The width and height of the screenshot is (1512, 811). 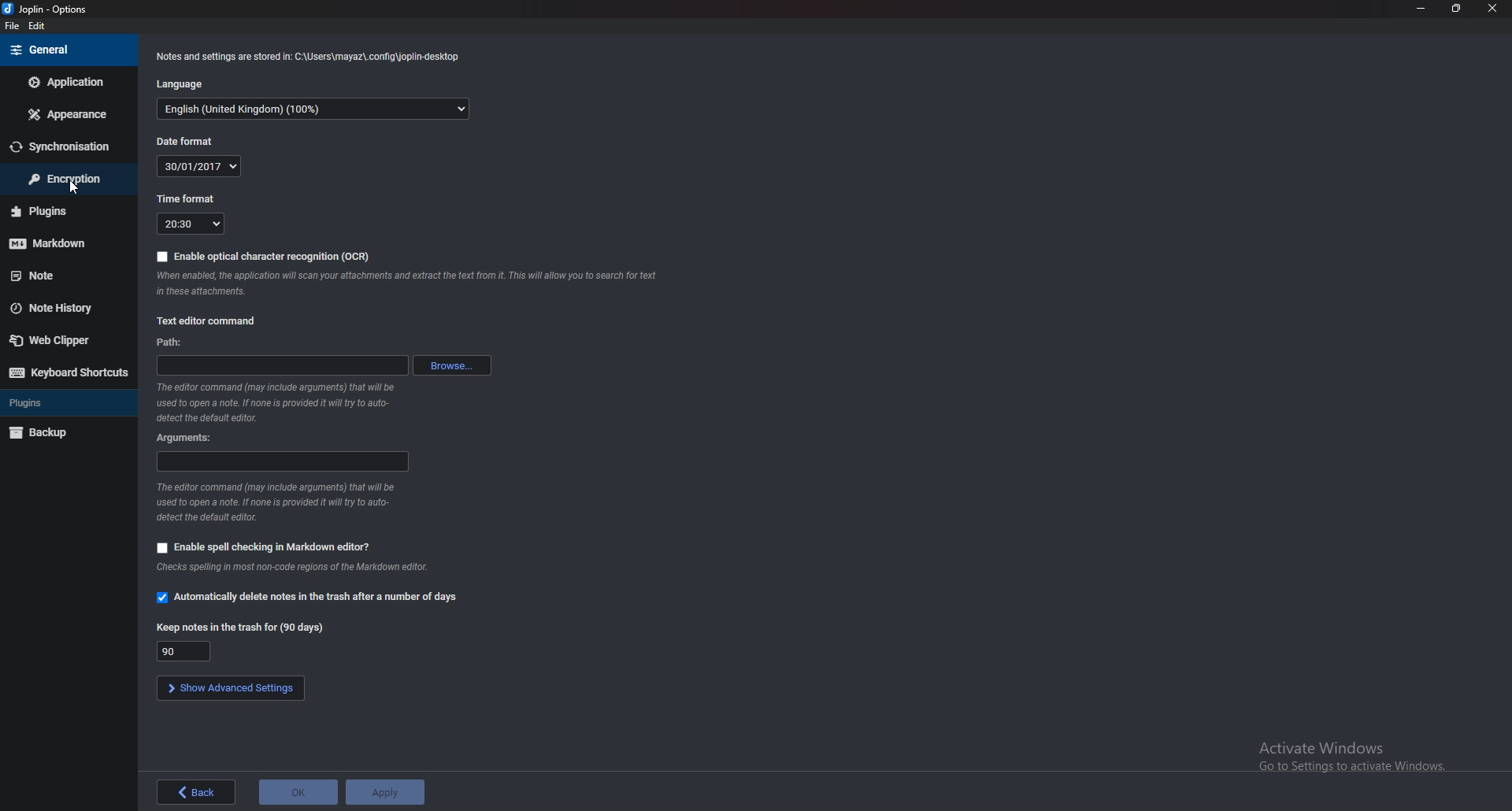 What do you see at coordinates (67, 341) in the screenshot?
I see `web clipper` at bounding box center [67, 341].